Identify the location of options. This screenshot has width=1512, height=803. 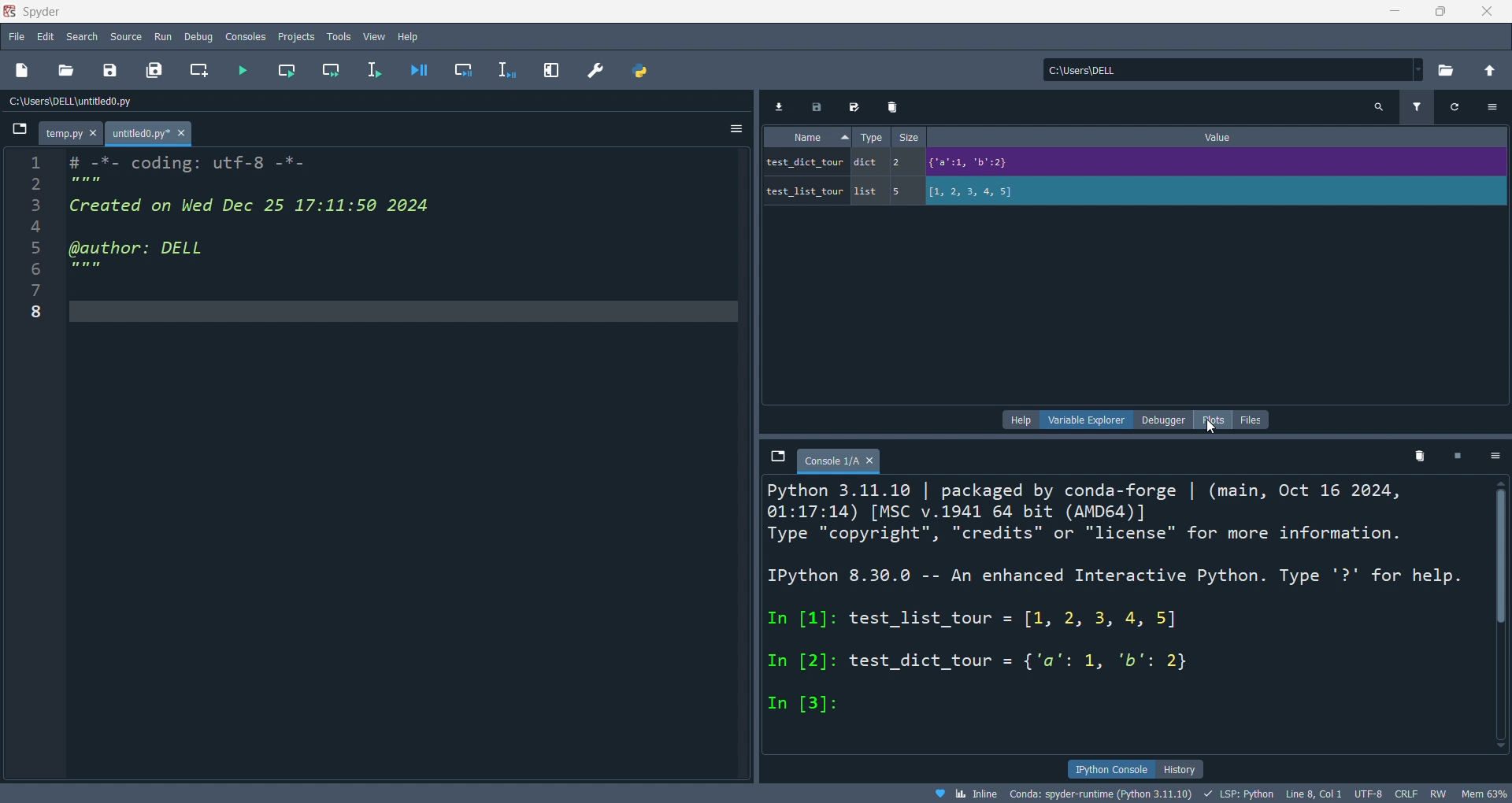
(739, 128).